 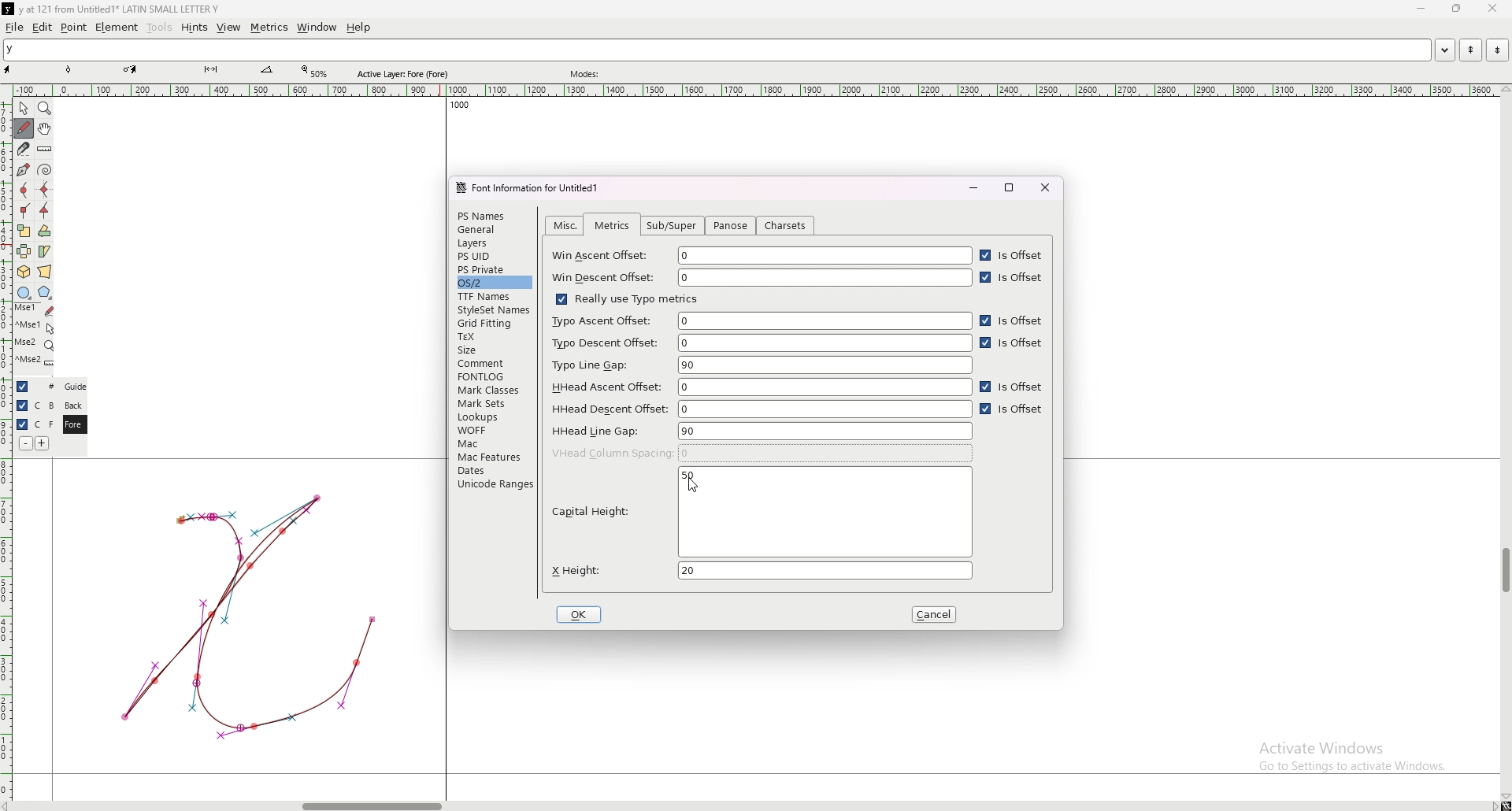 I want to click on pointer, so click(x=24, y=109).